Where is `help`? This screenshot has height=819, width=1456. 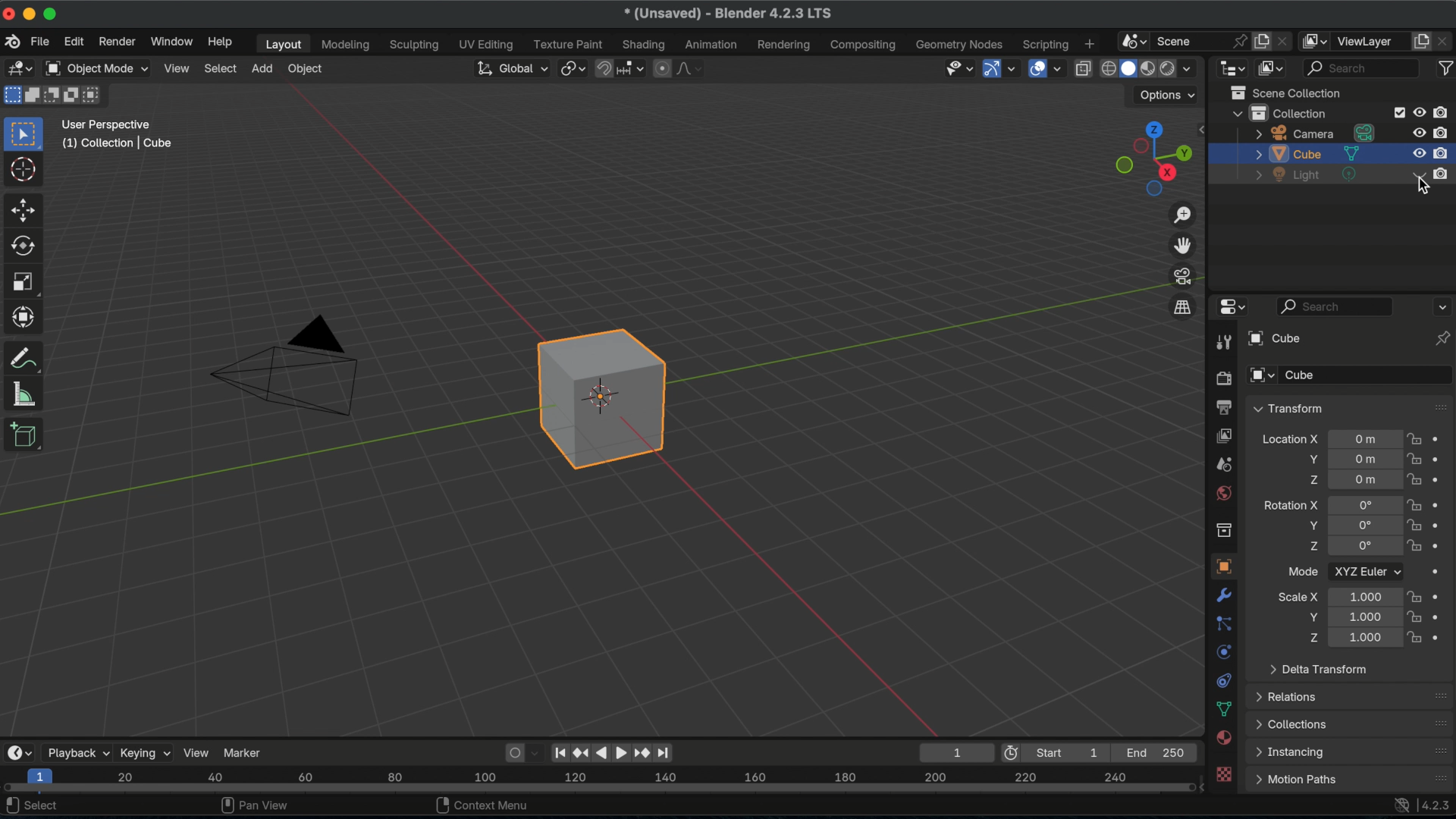 help is located at coordinates (221, 42).